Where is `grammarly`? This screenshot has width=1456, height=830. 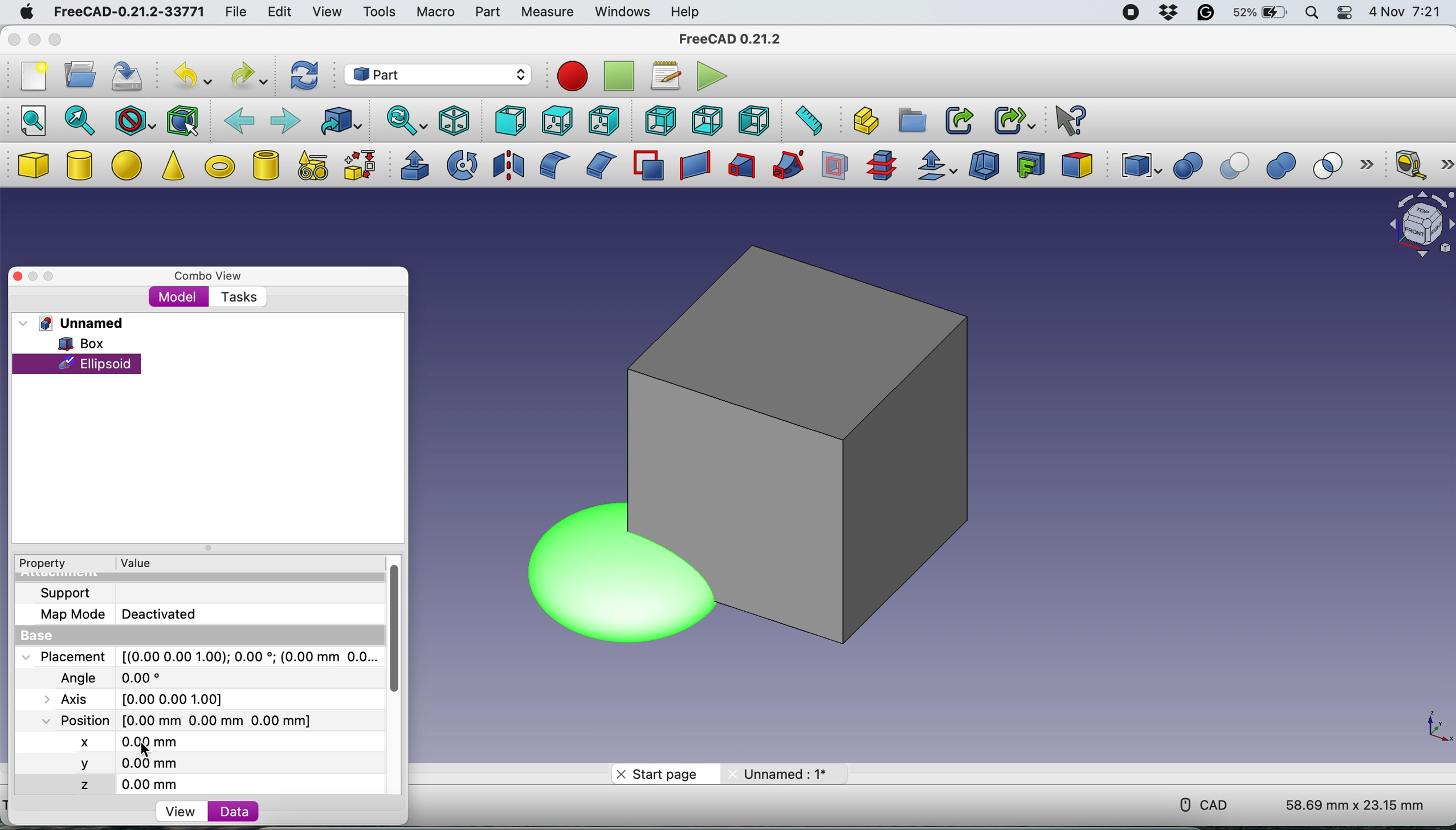
grammarly is located at coordinates (1205, 14).